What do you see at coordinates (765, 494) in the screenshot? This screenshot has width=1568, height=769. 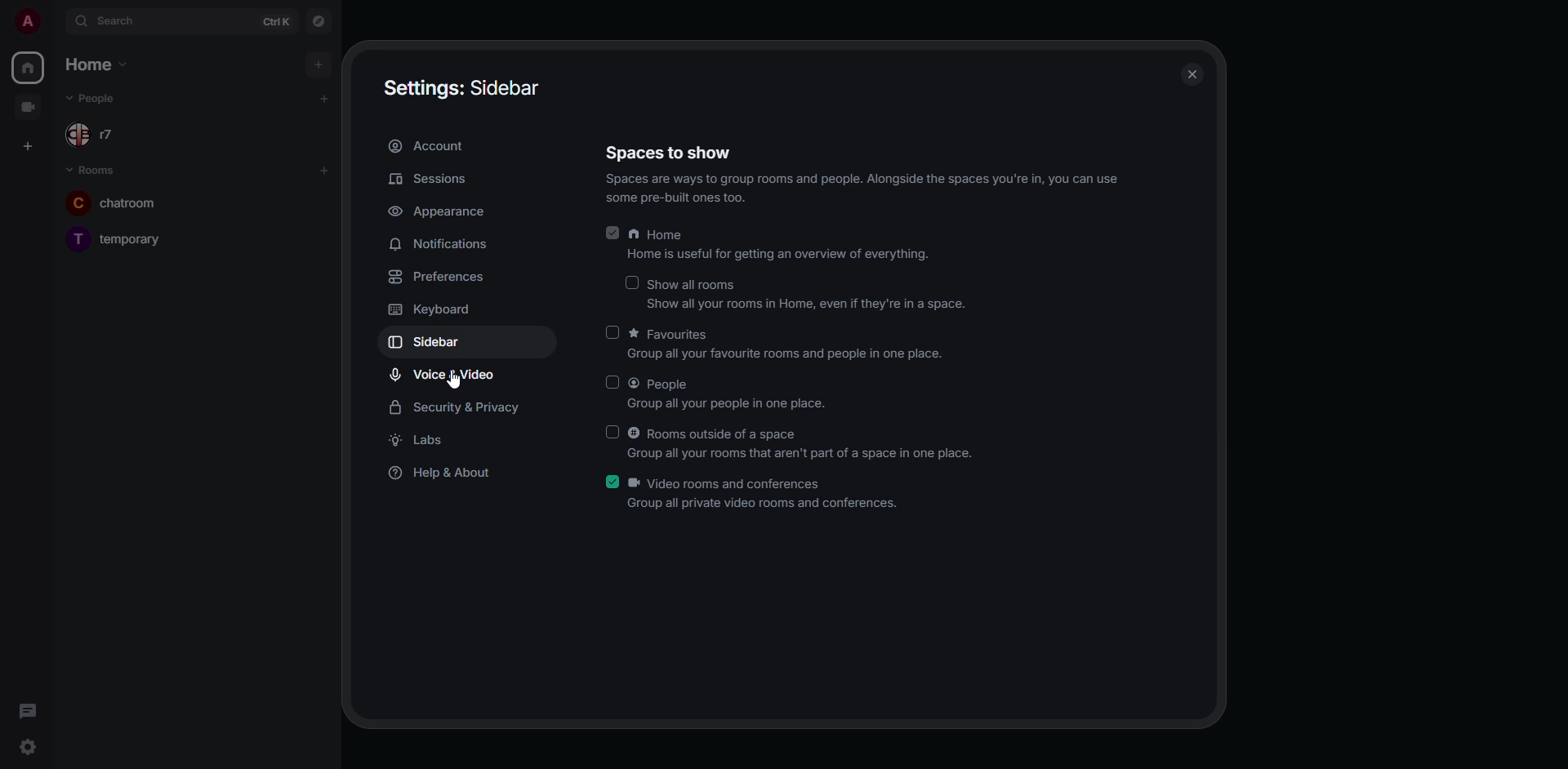 I see `video rooms and conferences` at bounding box center [765, 494].